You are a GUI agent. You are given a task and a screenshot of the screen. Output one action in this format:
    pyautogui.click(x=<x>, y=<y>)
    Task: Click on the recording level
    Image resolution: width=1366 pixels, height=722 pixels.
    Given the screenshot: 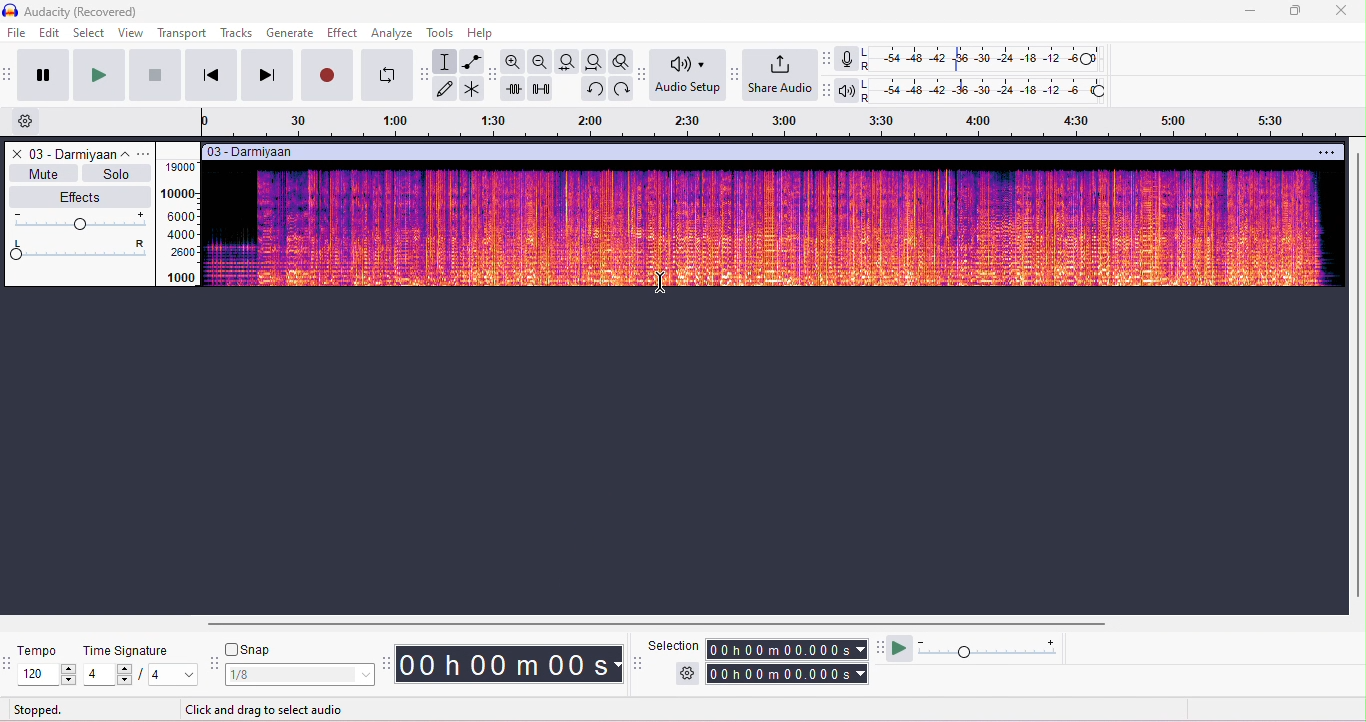 What is the action you would take?
    pyautogui.click(x=984, y=59)
    